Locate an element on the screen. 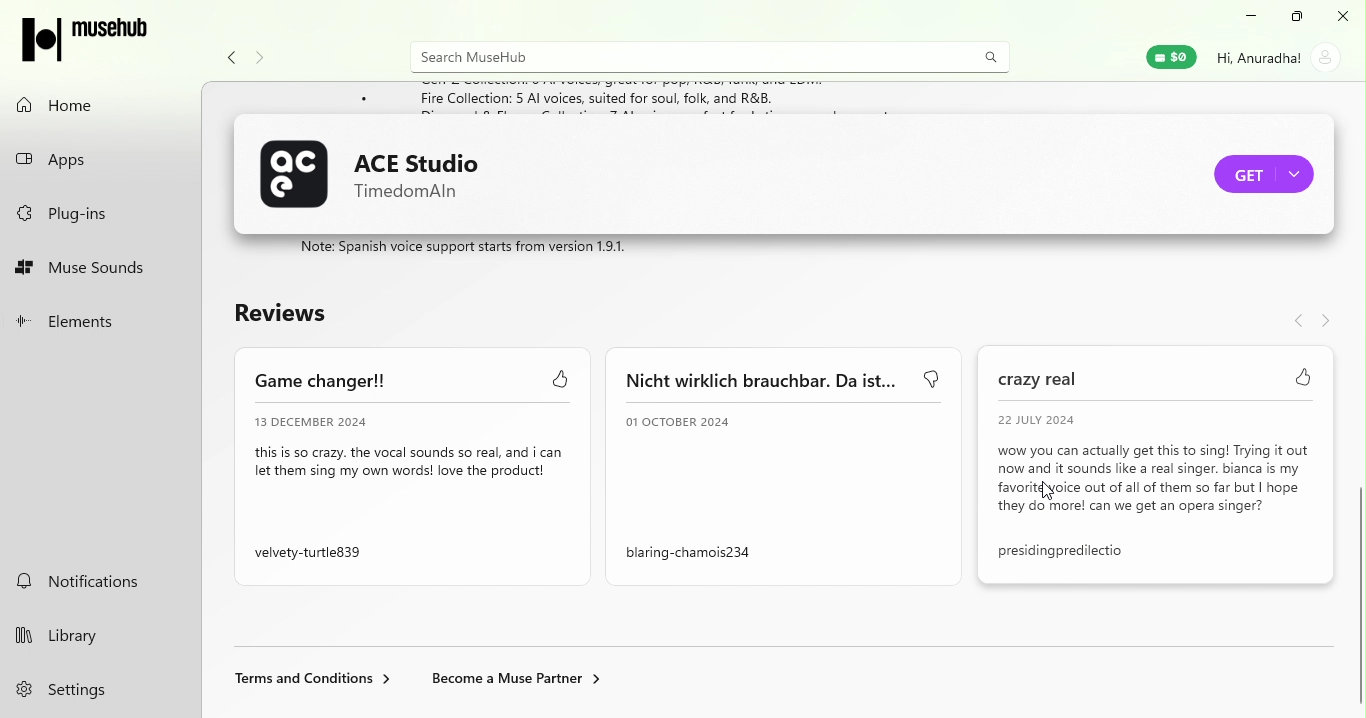 This screenshot has width=1366, height=718. plug-ins is located at coordinates (99, 211).